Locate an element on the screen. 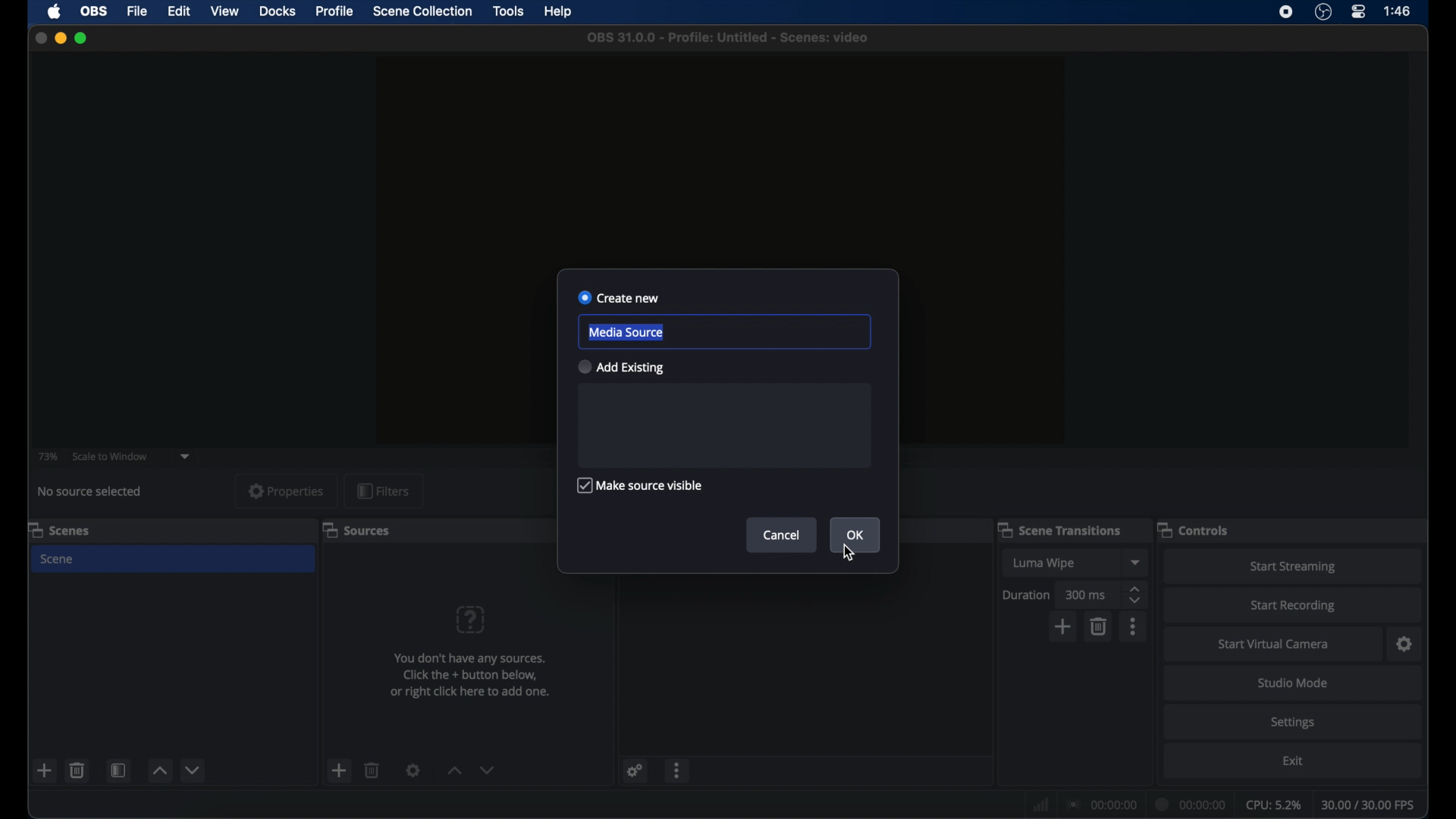 This screenshot has height=819, width=1456. scale to window is located at coordinates (110, 457).